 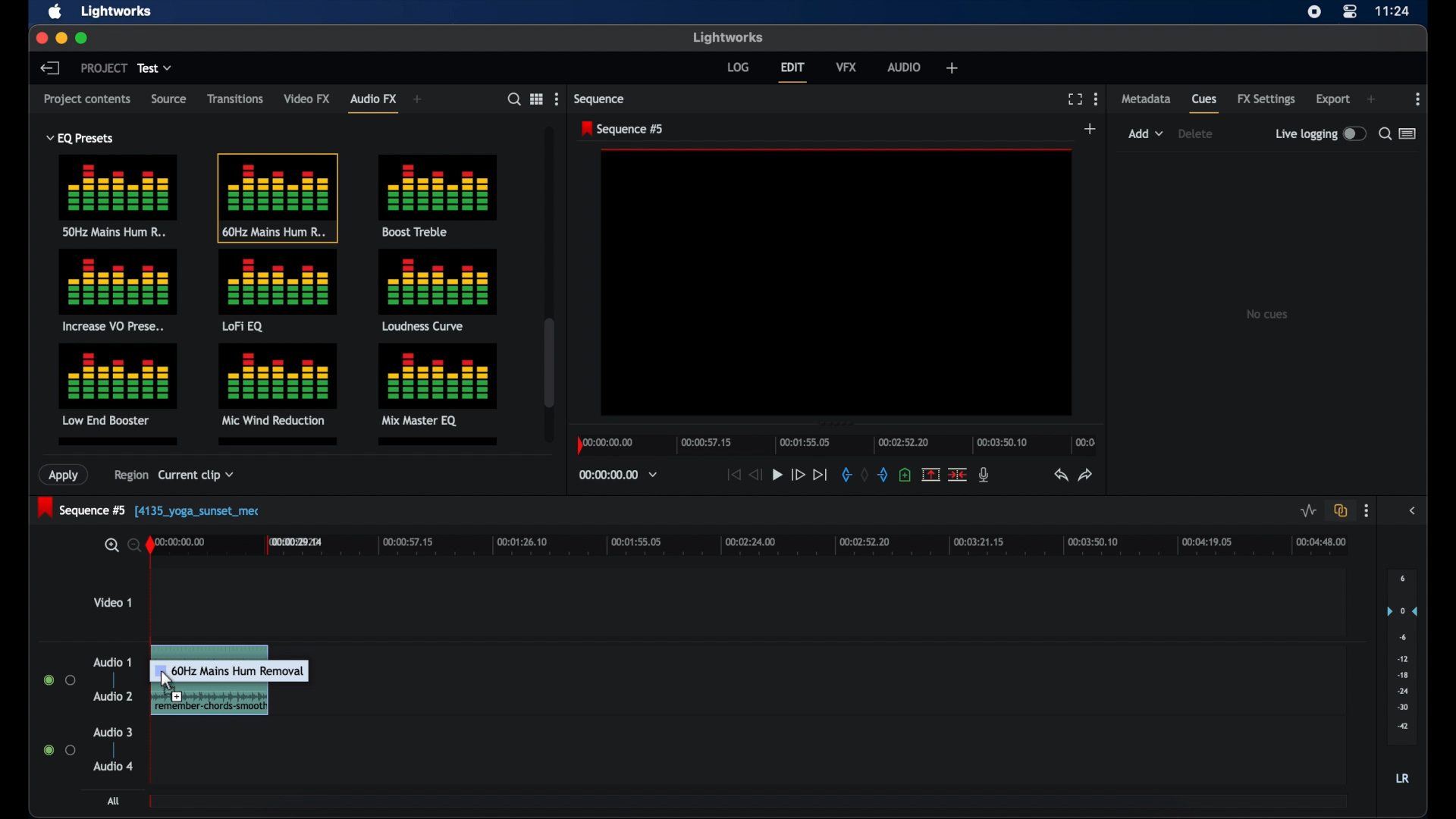 What do you see at coordinates (514, 99) in the screenshot?
I see `search` at bounding box center [514, 99].